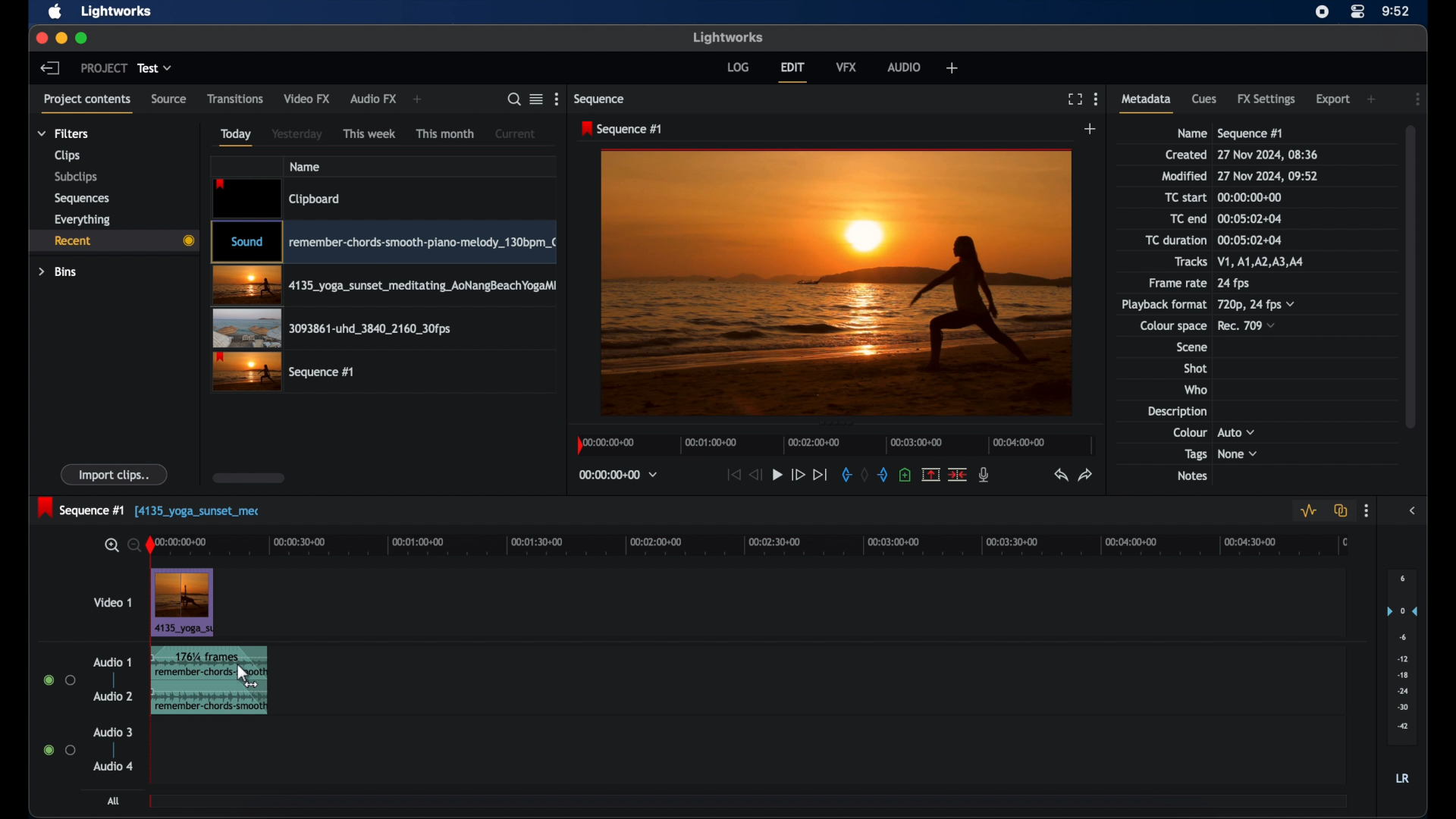 This screenshot has width=1456, height=819. I want to click on created, so click(1186, 155).